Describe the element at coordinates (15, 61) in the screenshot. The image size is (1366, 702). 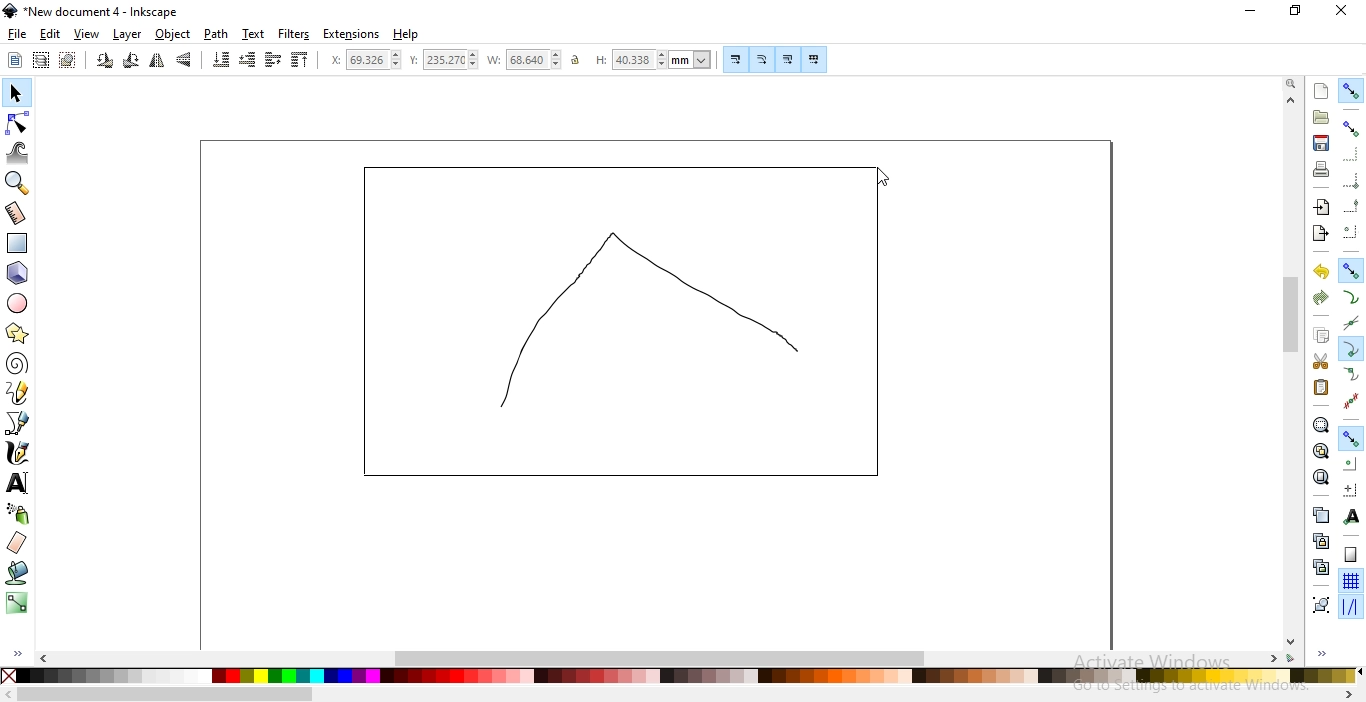
I see `select all objects or all nodes` at that location.